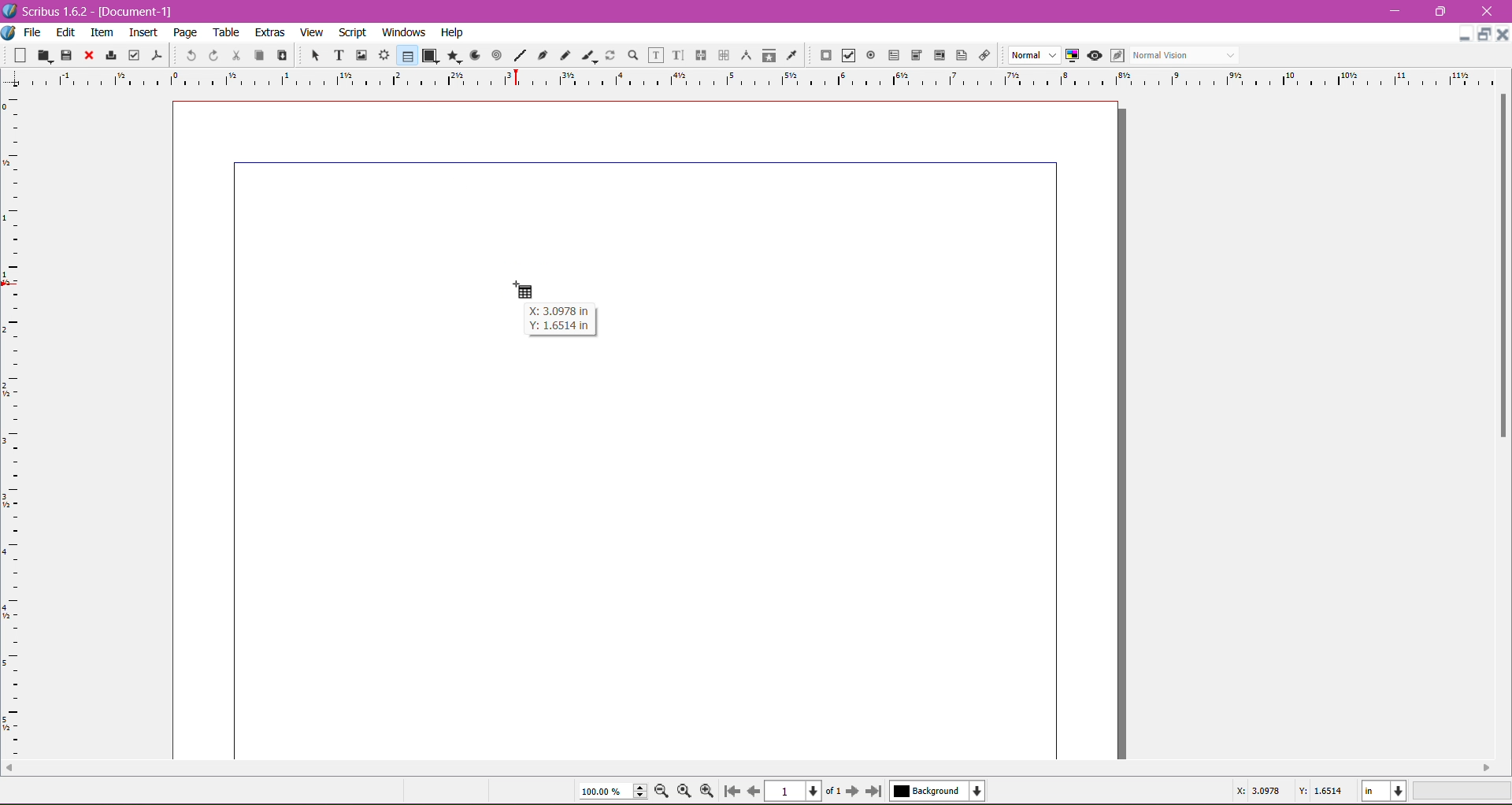 The image size is (1512, 805). Describe the element at coordinates (744, 56) in the screenshot. I see `Measurements` at that location.